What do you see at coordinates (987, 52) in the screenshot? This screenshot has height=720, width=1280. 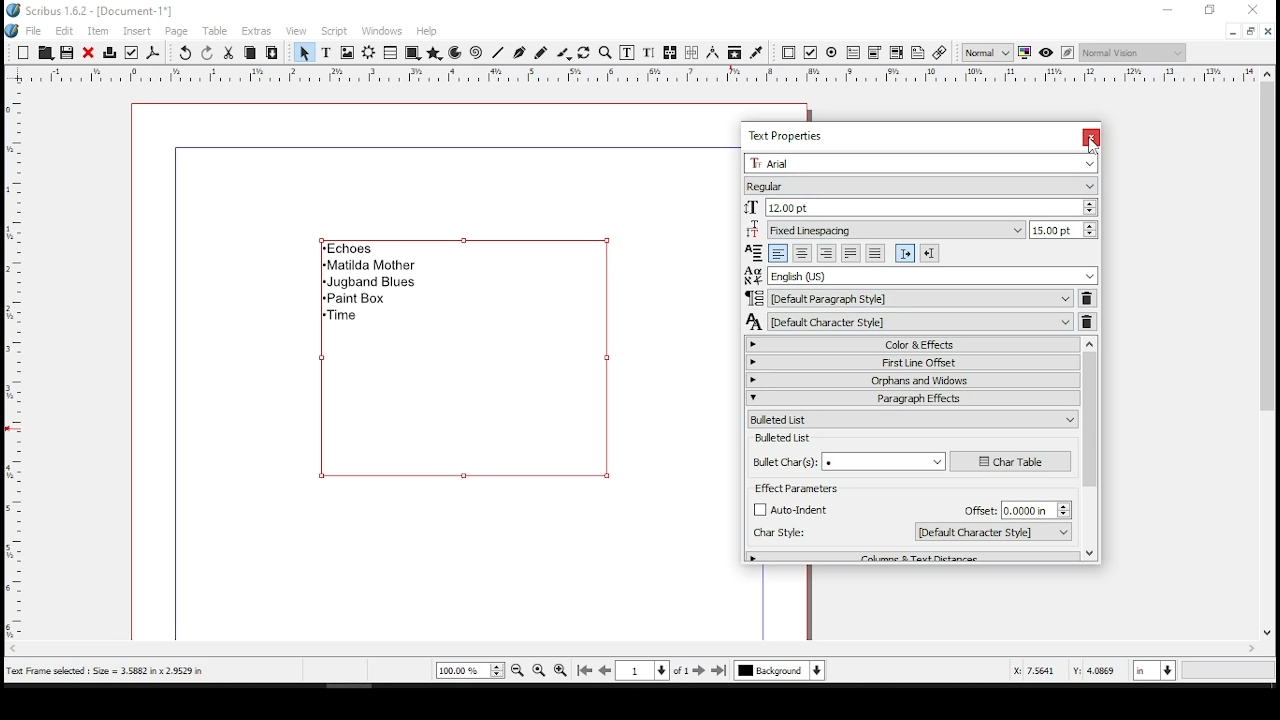 I see `select image preview quality` at bounding box center [987, 52].